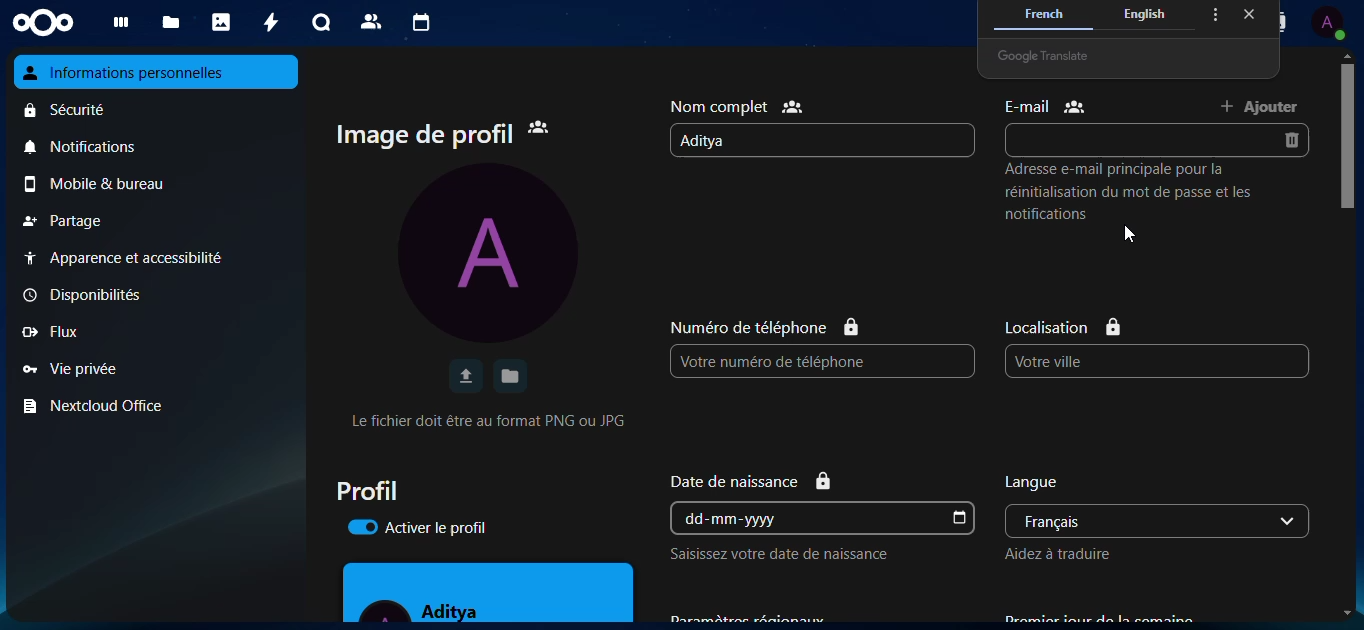 Image resolution: width=1364 pixels, height=630 pixels. What do you see at coordinates (50, 22) in the screenshot?
I see `next cloud` at bounding box center [50, 22].